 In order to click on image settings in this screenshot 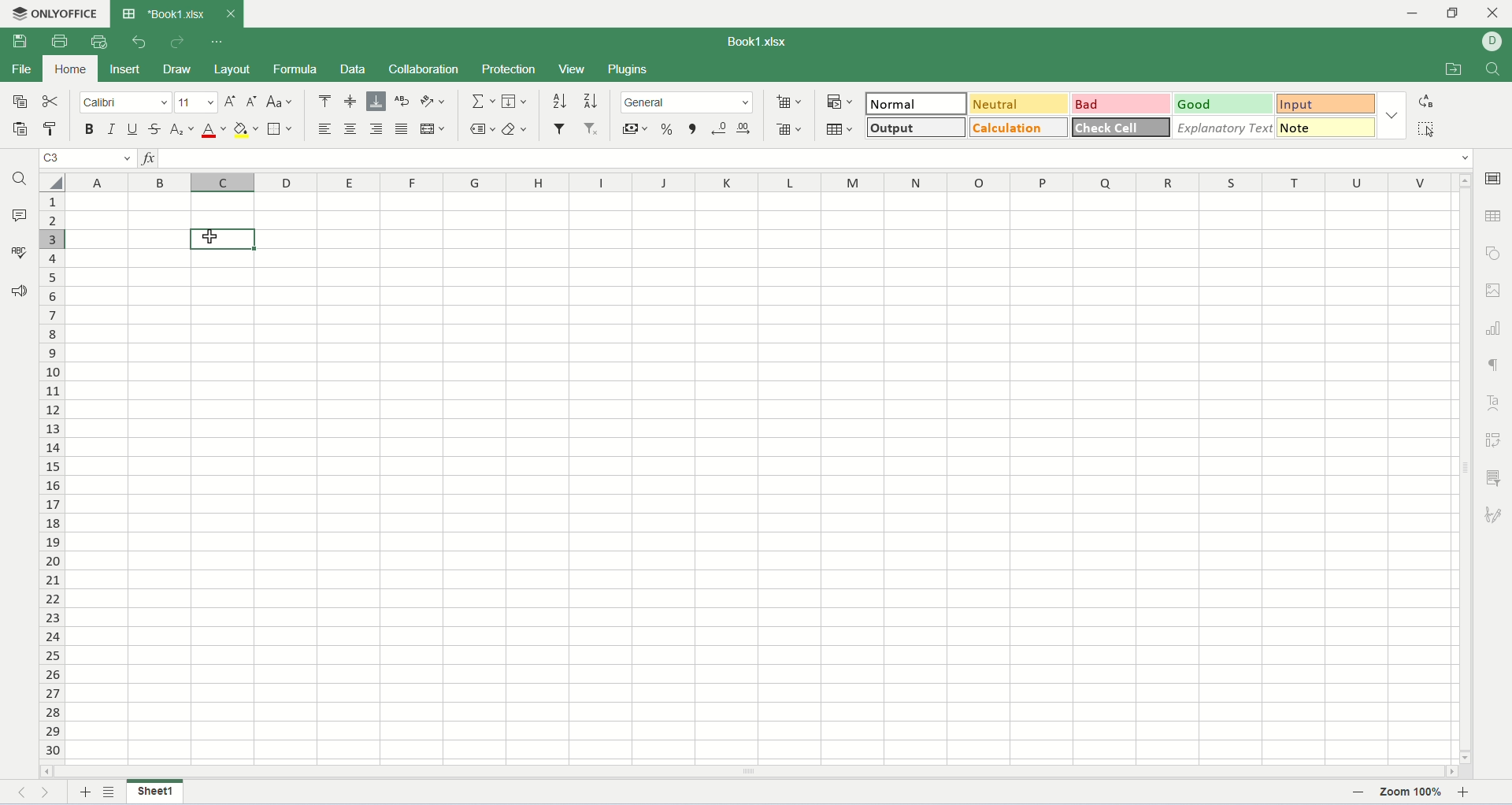, I will do `click(1496, 293)`.